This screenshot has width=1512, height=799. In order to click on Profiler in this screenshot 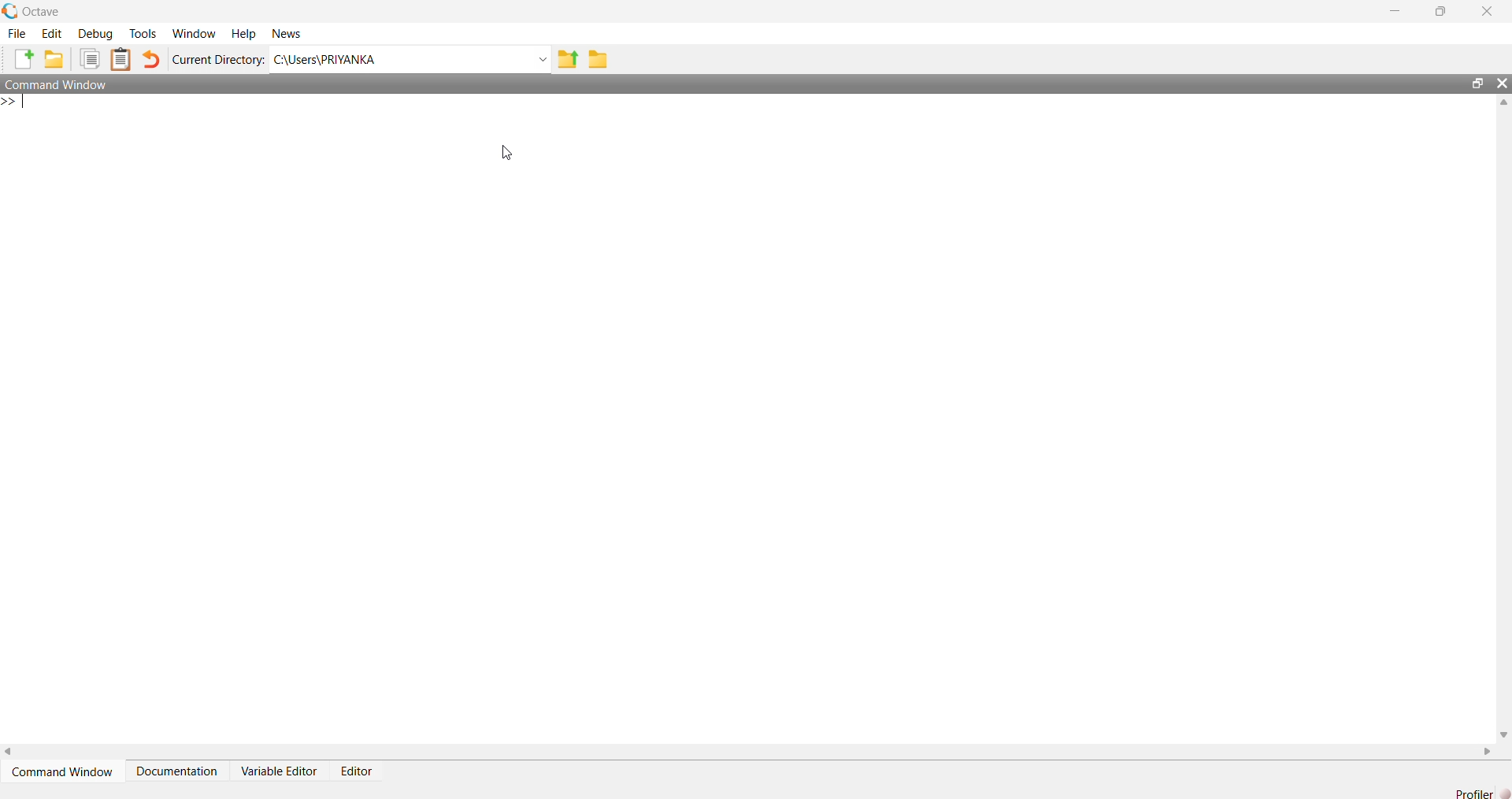, I will do `click(1476, 792)`.